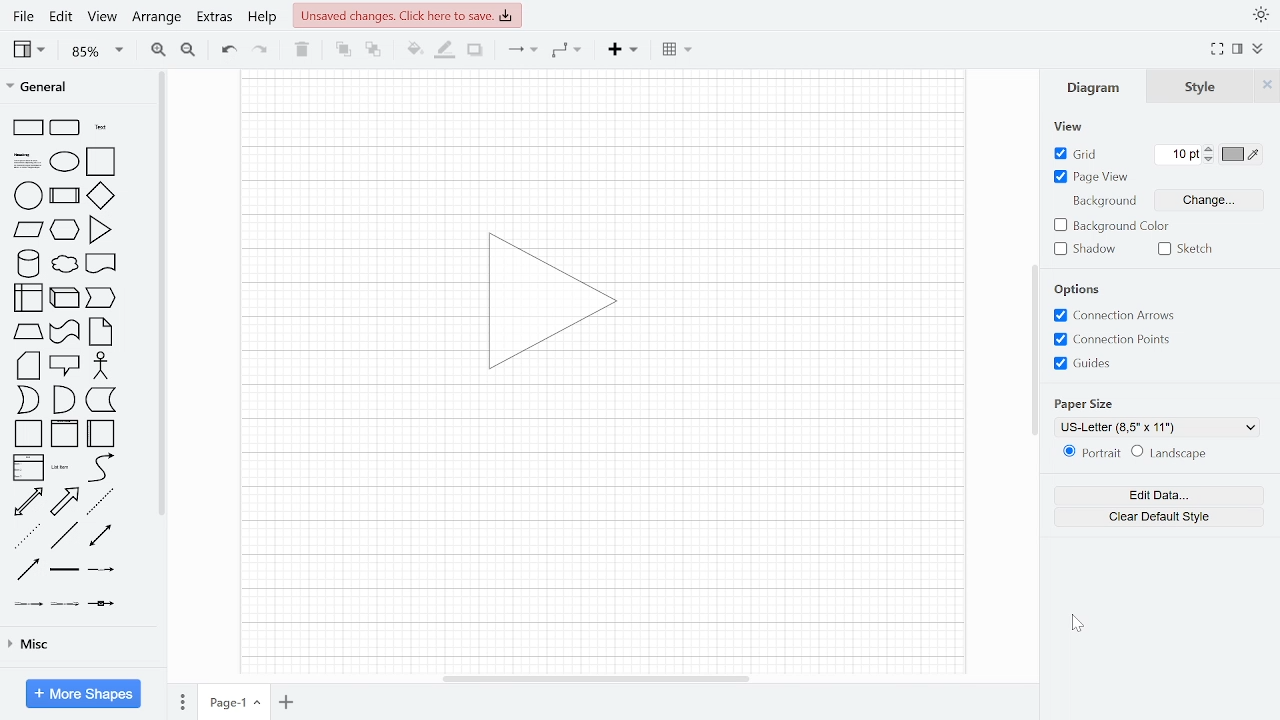  I want to click on Or, so click(28, 400).